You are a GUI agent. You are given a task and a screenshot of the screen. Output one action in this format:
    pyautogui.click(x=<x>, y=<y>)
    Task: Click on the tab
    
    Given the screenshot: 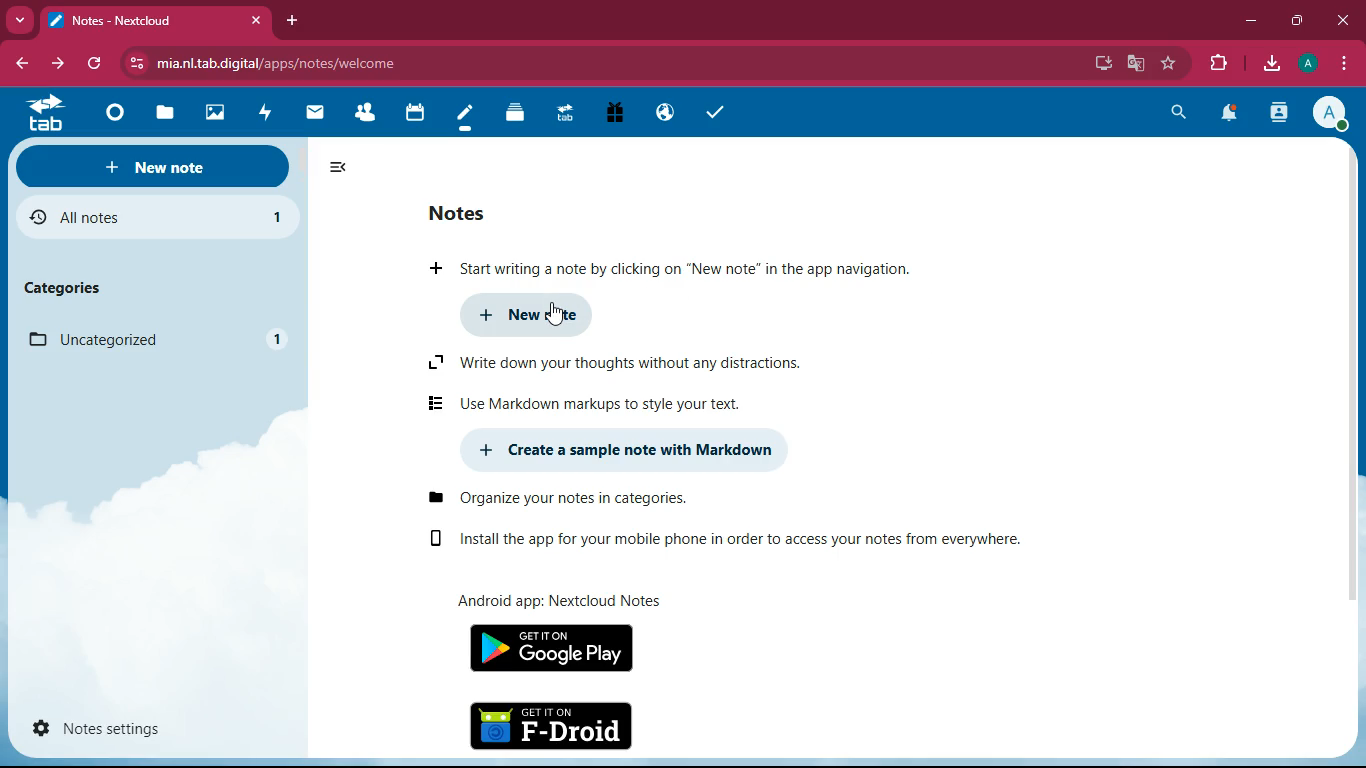 What is the action you would take?
    pyautogui.click(x=43, y=114)
    